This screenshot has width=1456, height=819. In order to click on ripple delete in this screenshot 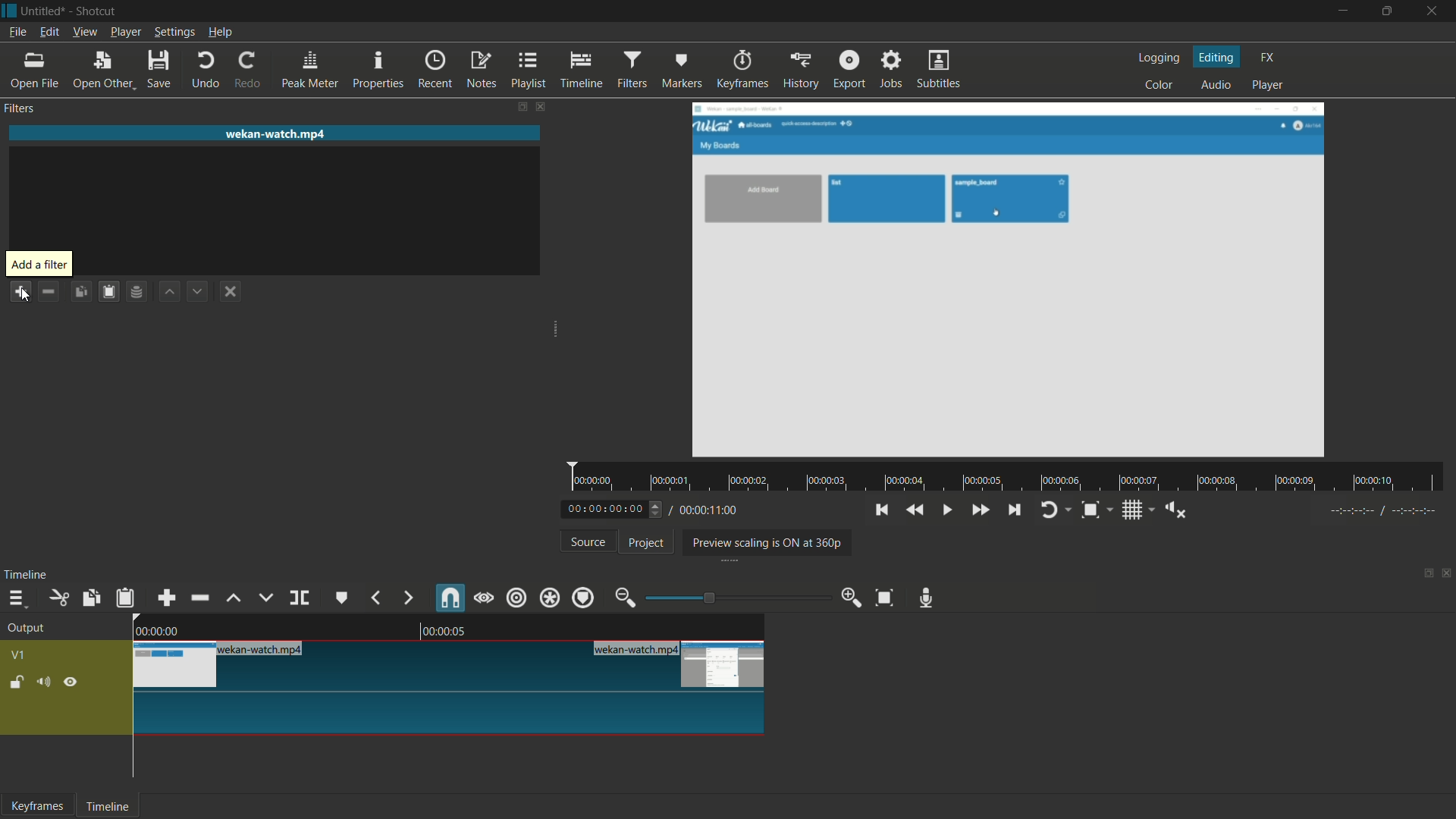, I will do `click(198, 598)`.